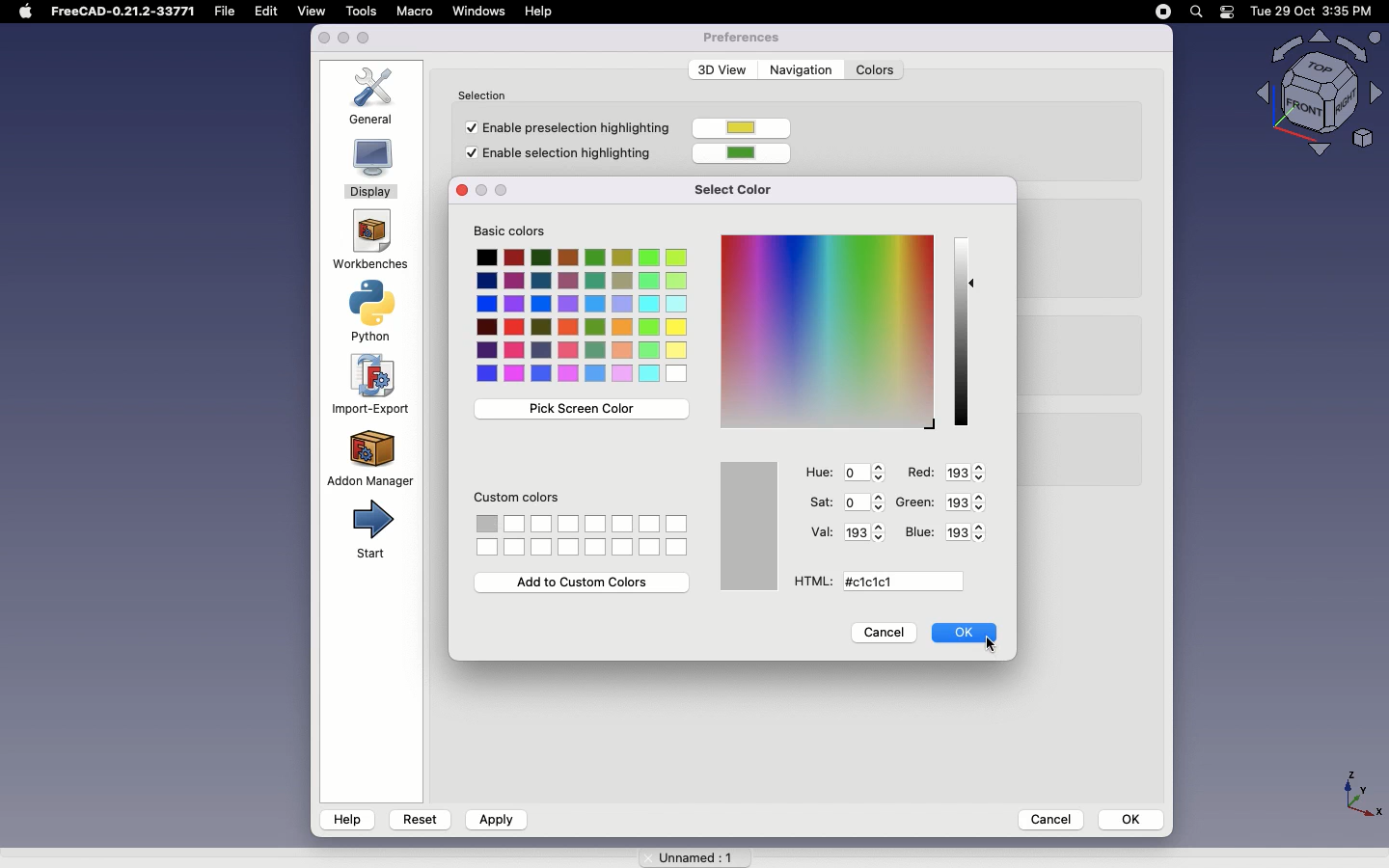  What do you see at coordinates (126, 14) in the screenshot?
I see `FreeCAD-0.21.2-33Y71` at bounding box center [126, 14].